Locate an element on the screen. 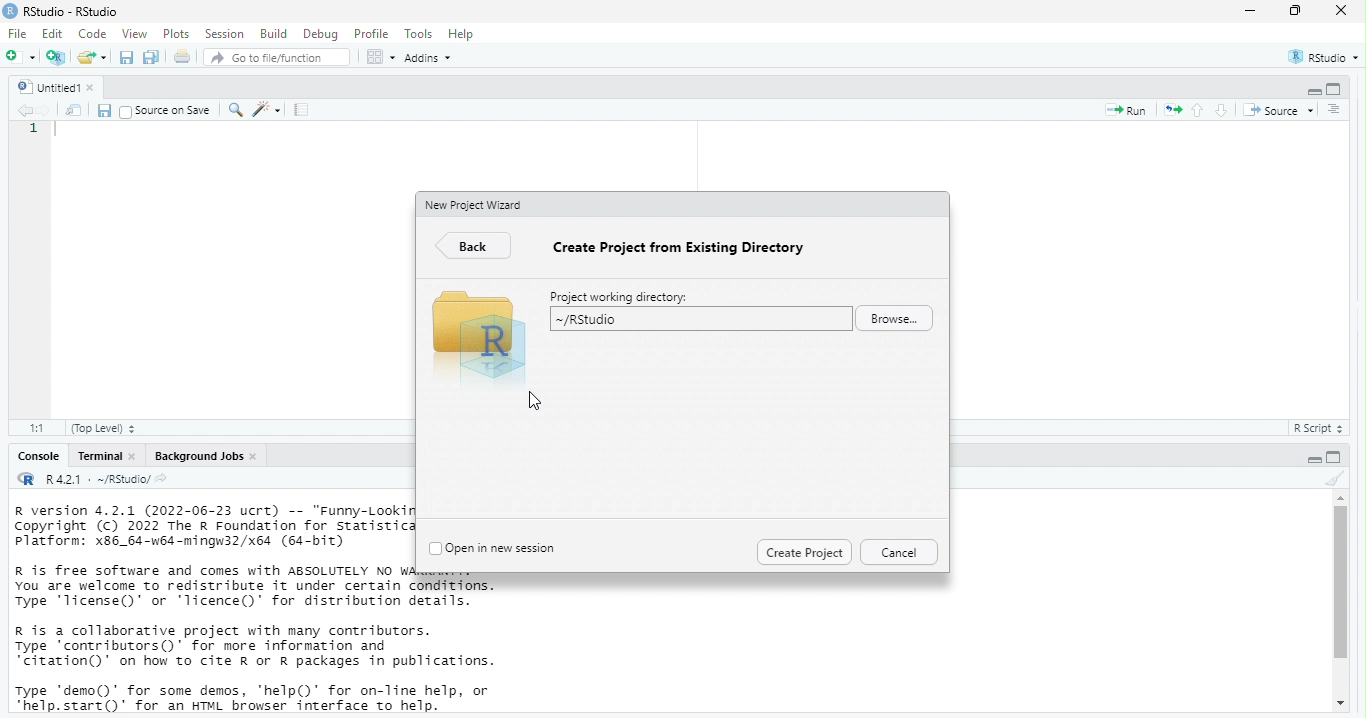  Create Project from Existing Directory is located at coordinates (687, 247).